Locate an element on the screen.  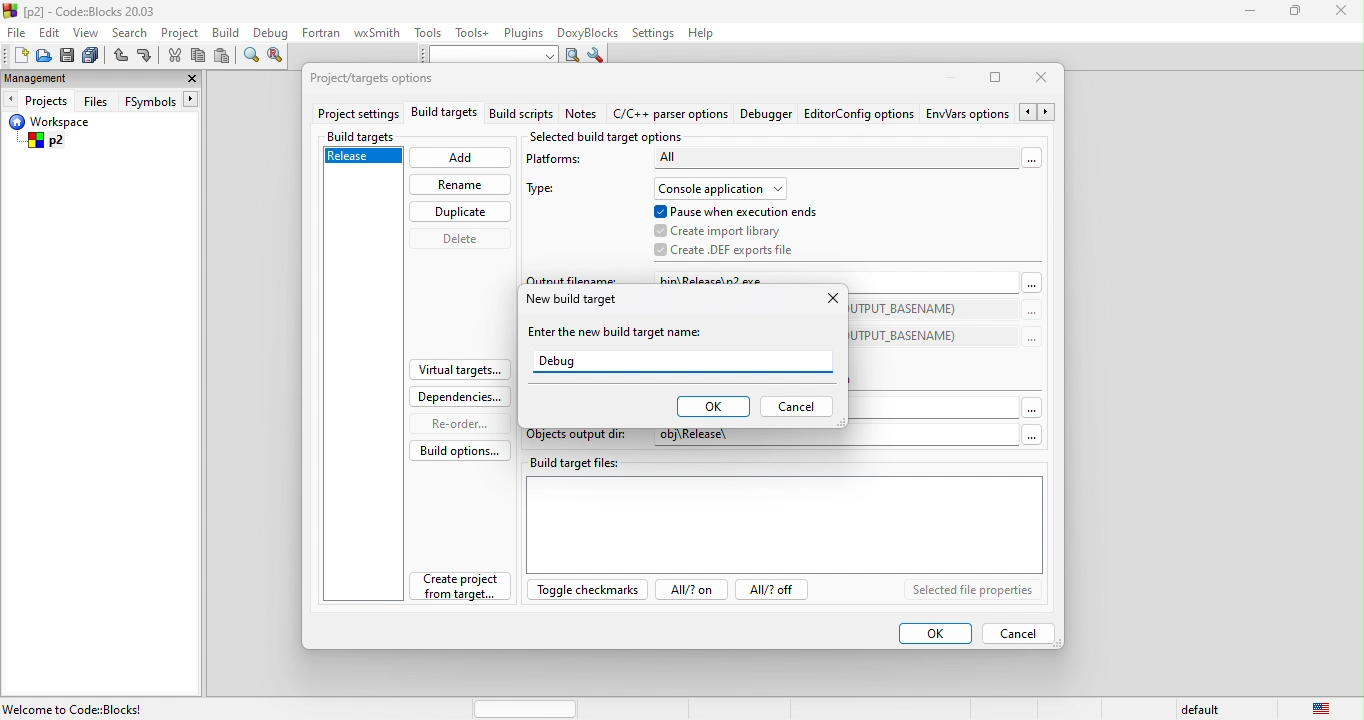
delete is located at coordinates (467, 241).